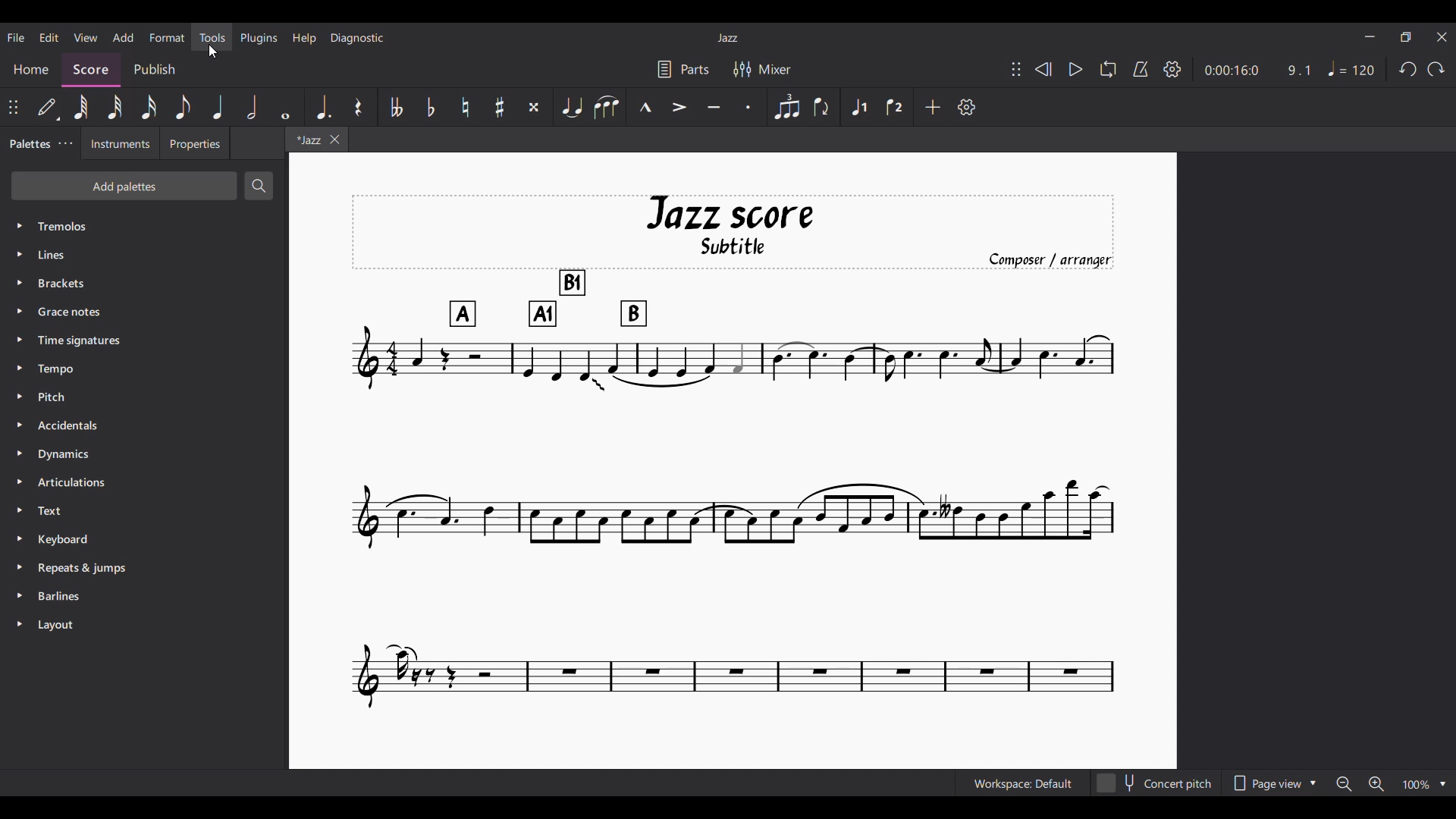  I want to click on Flip direction, so click(824, 107).